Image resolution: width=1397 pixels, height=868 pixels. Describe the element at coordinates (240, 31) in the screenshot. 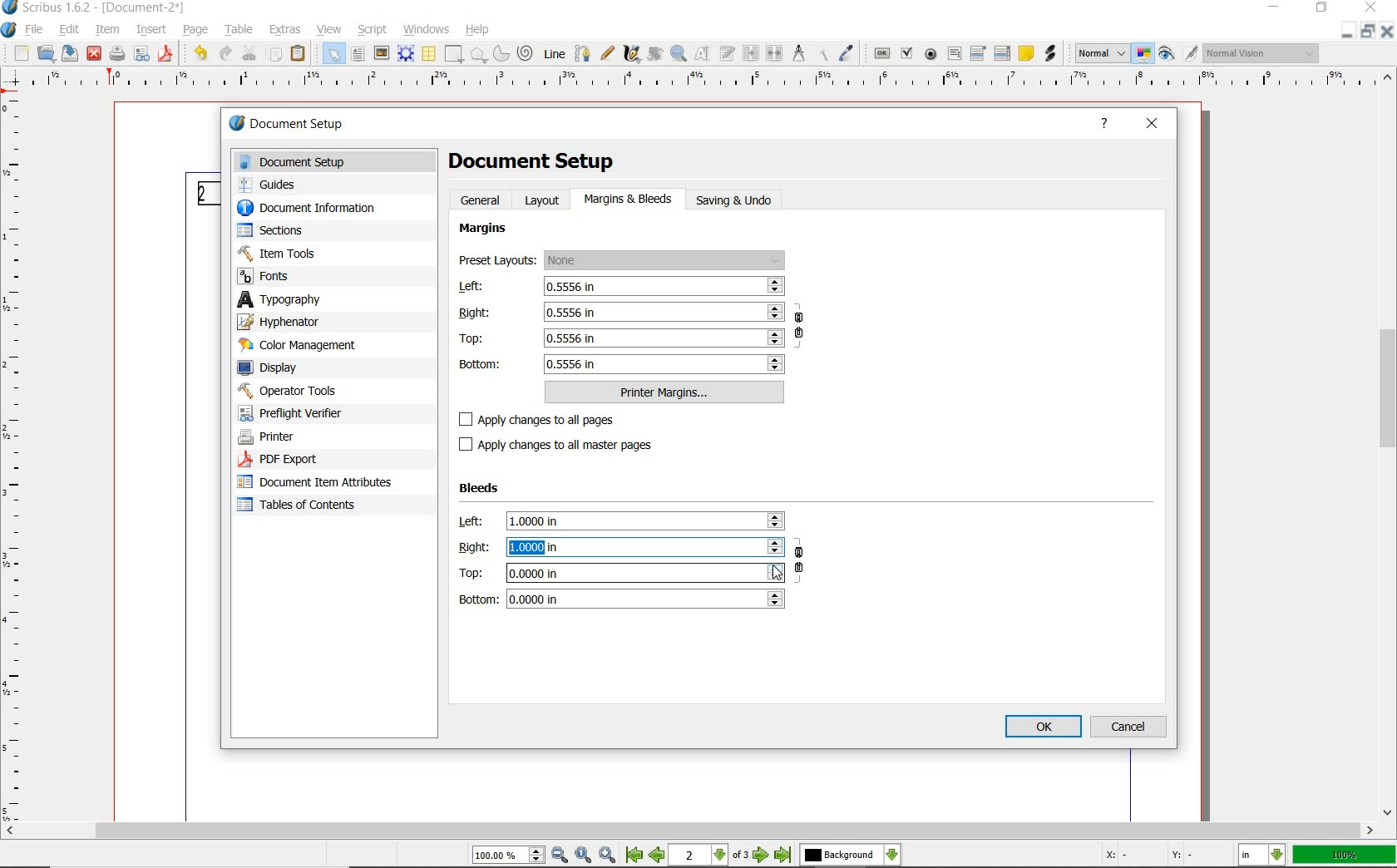

I see `table` at that location.